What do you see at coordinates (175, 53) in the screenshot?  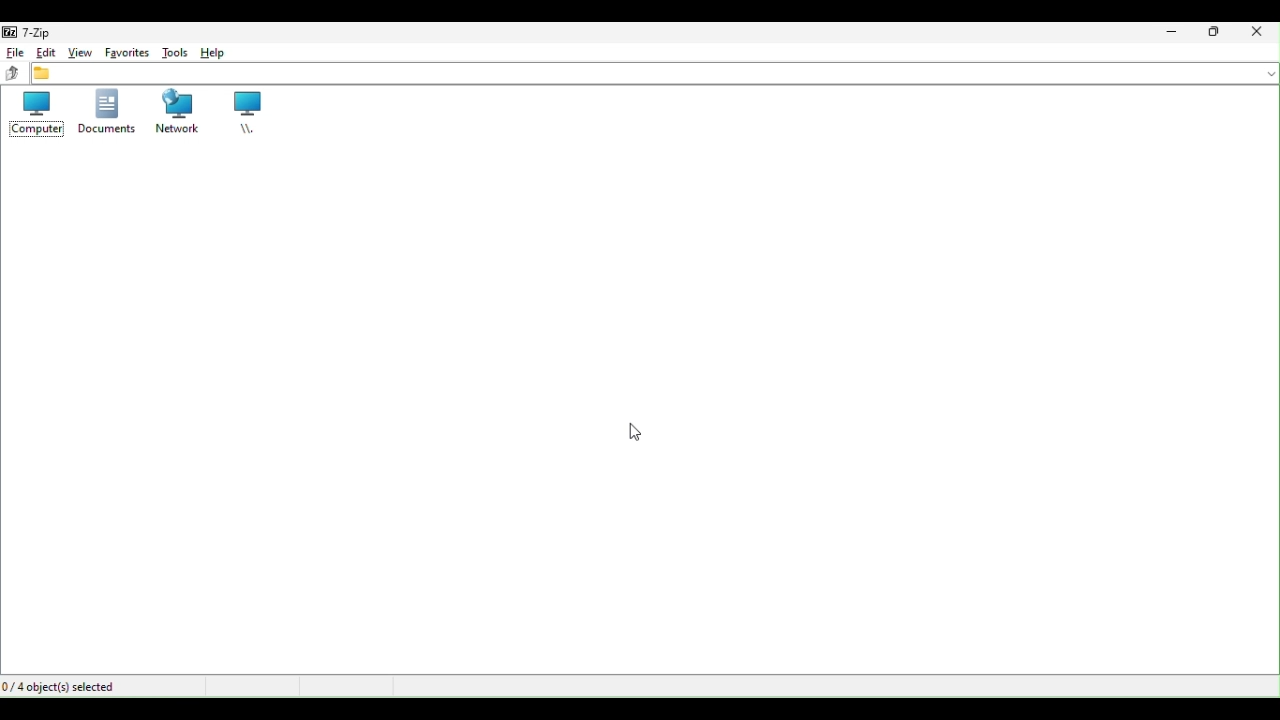 I see `Tools` at bounding box center [175, 53].